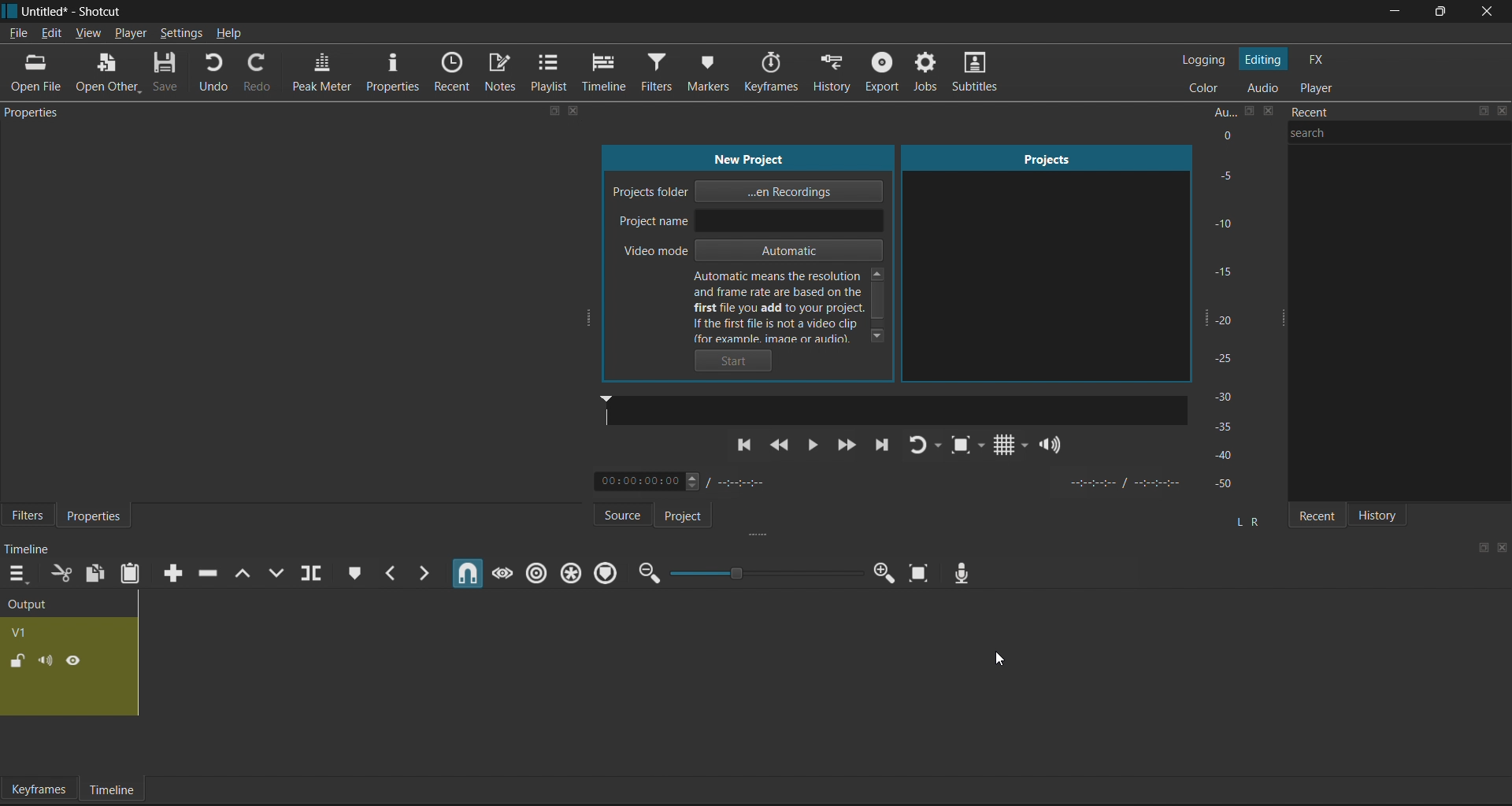 Image resolution: width=1512 pixels, height=806 pixels. Describe the element at coordinates (455, 72) in the screenshot. I see `Recent` at that location.